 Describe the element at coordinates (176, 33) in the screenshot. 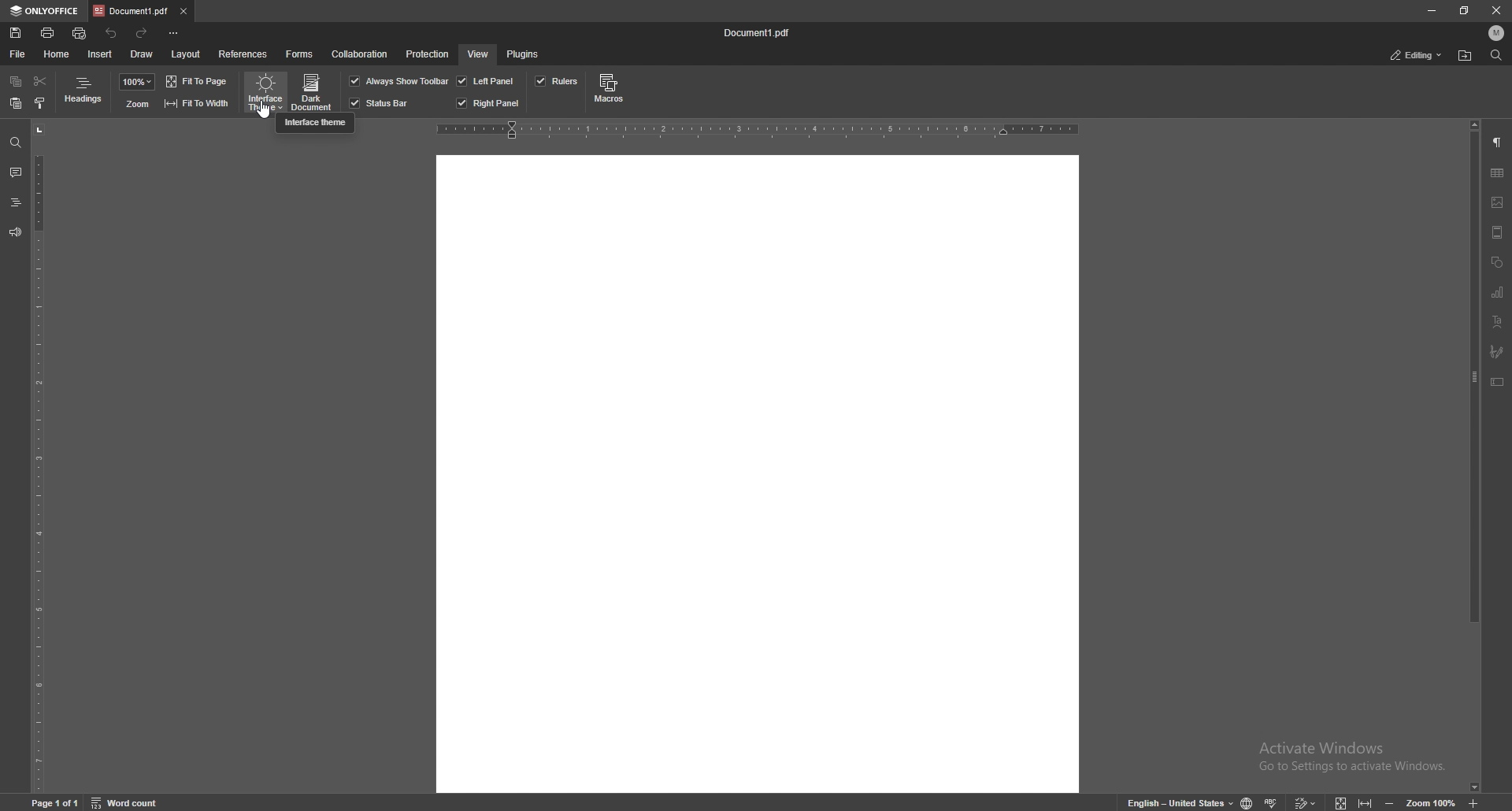

I see `customize toolbar` at that location.